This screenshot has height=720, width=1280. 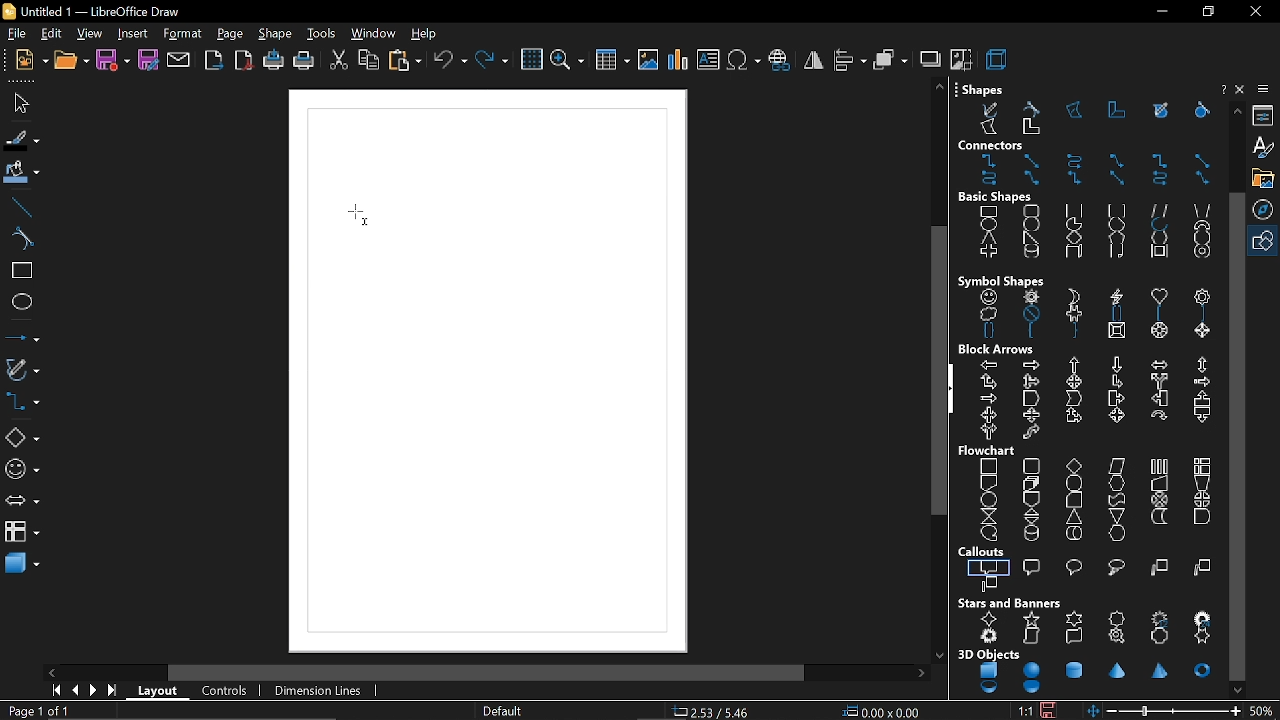 I want to click on connector with arrows, so click(x=1076, y=180).